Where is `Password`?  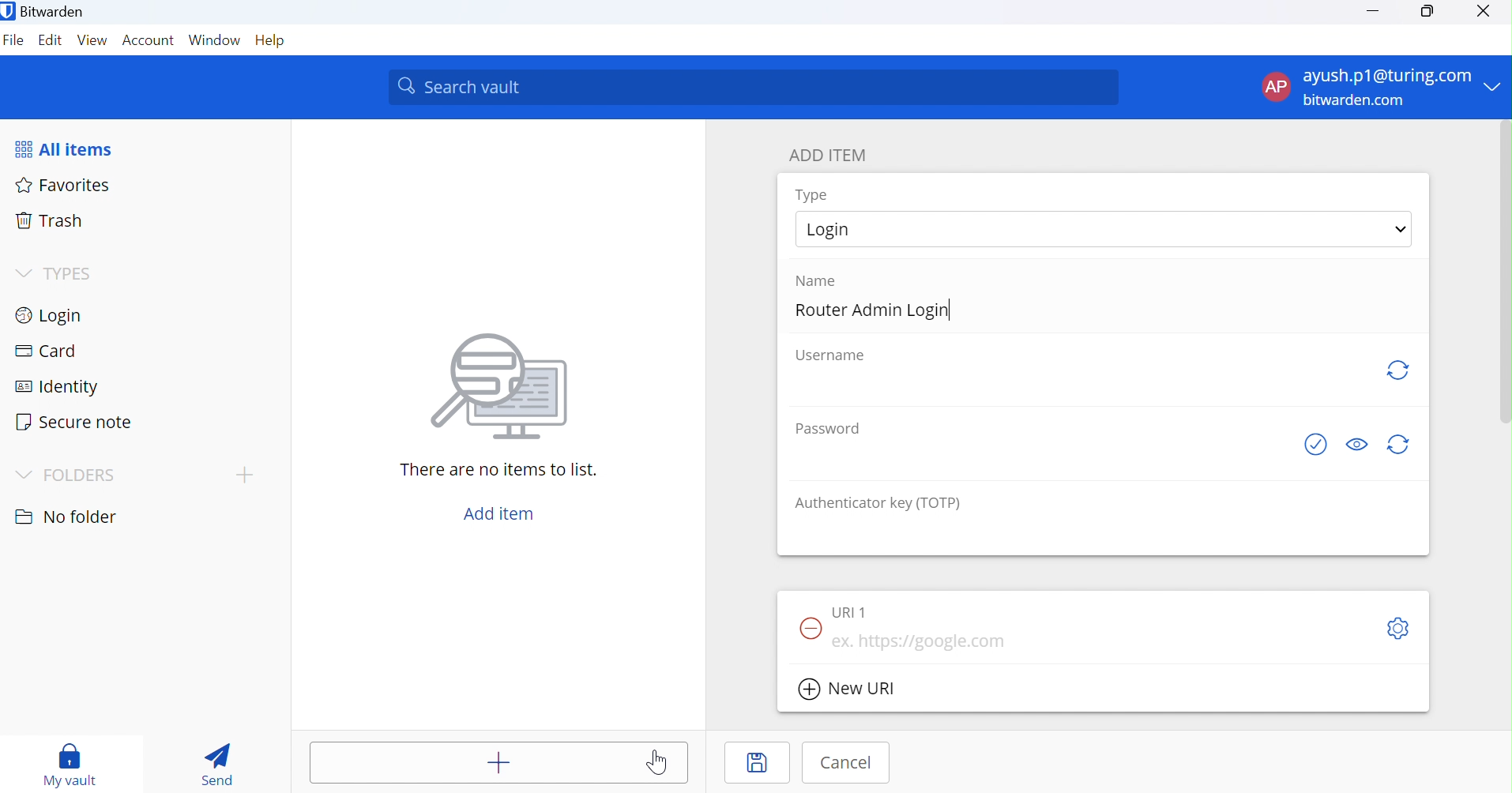 Password is located at coordinates (826, 427).